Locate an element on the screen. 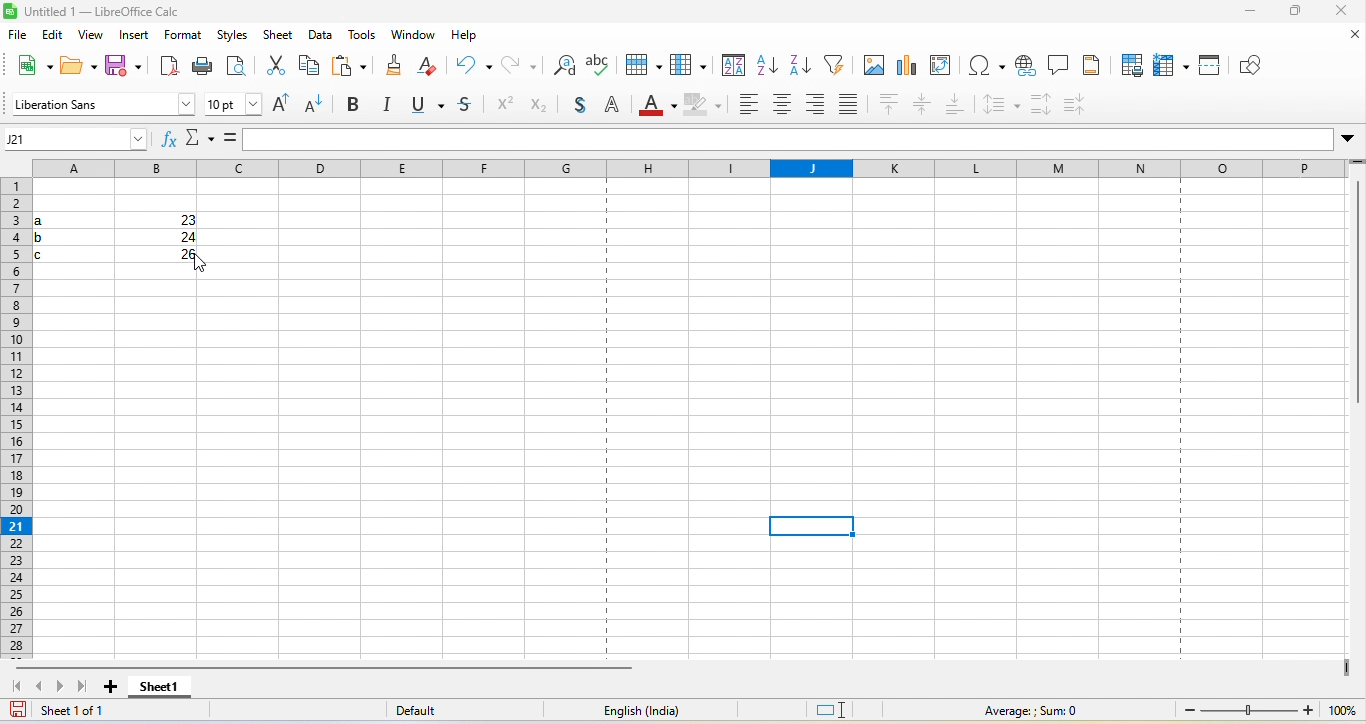  justified is located at coordinates (849, 105).